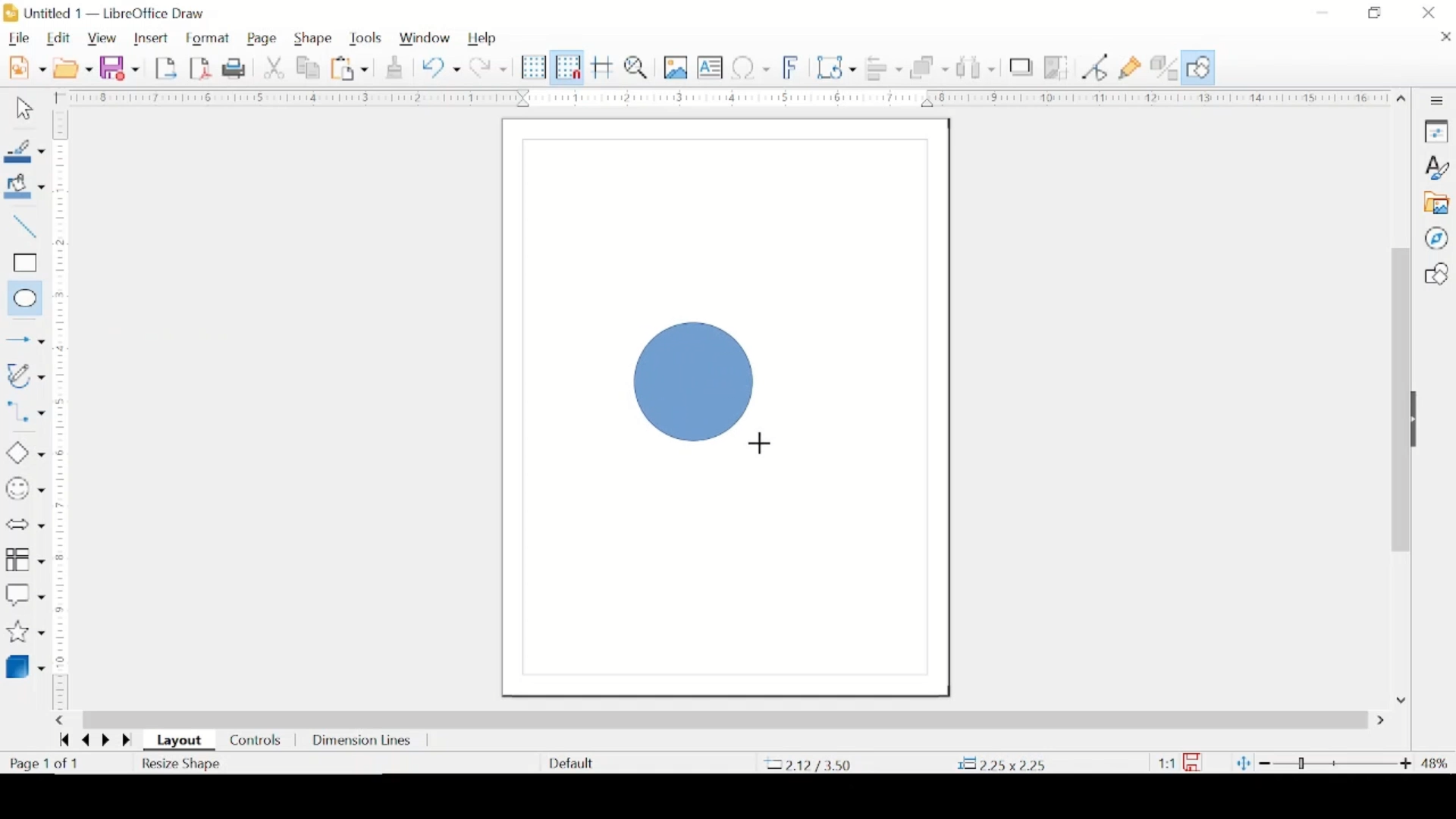 The image size is (1456, 819). What do you see at coordinates (1438, 167) in the screenshot?
I see `styles` at bounding box center [1438, 167].